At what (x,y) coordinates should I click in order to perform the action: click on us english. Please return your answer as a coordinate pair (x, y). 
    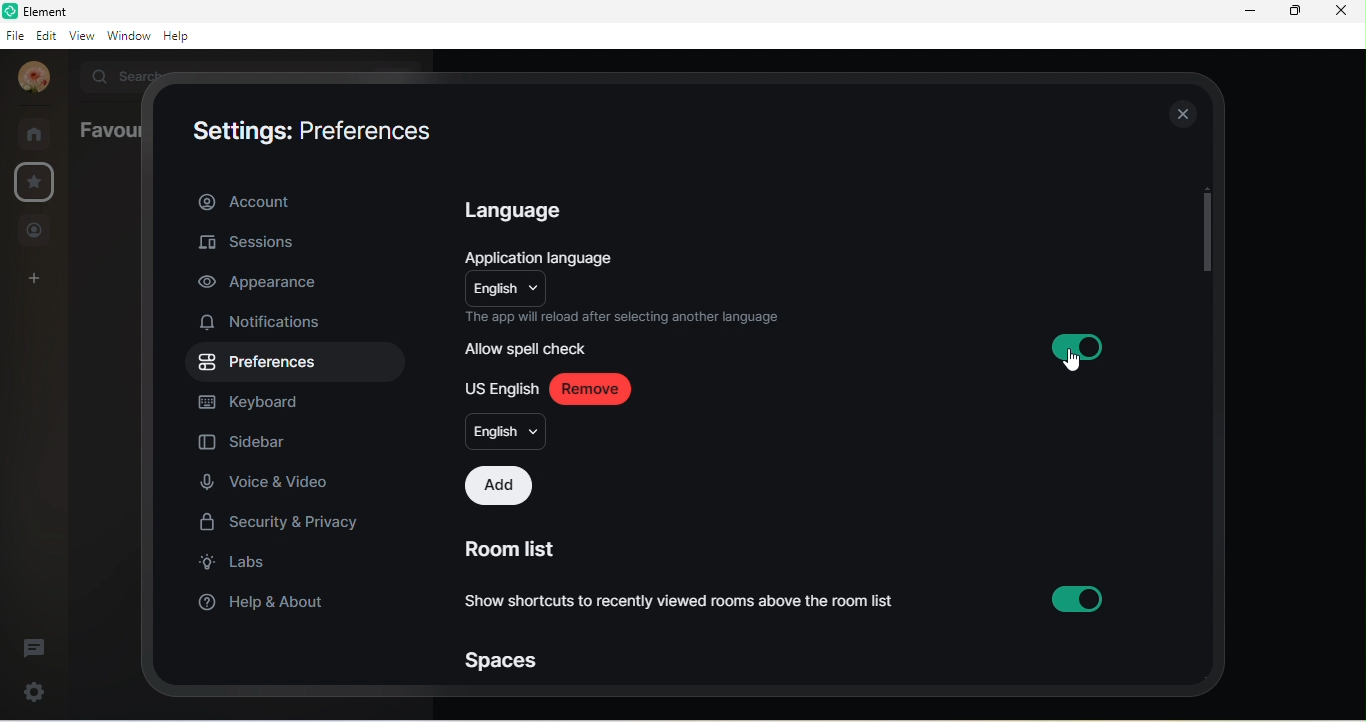
    Looking at the image, I should click on (501, 387).